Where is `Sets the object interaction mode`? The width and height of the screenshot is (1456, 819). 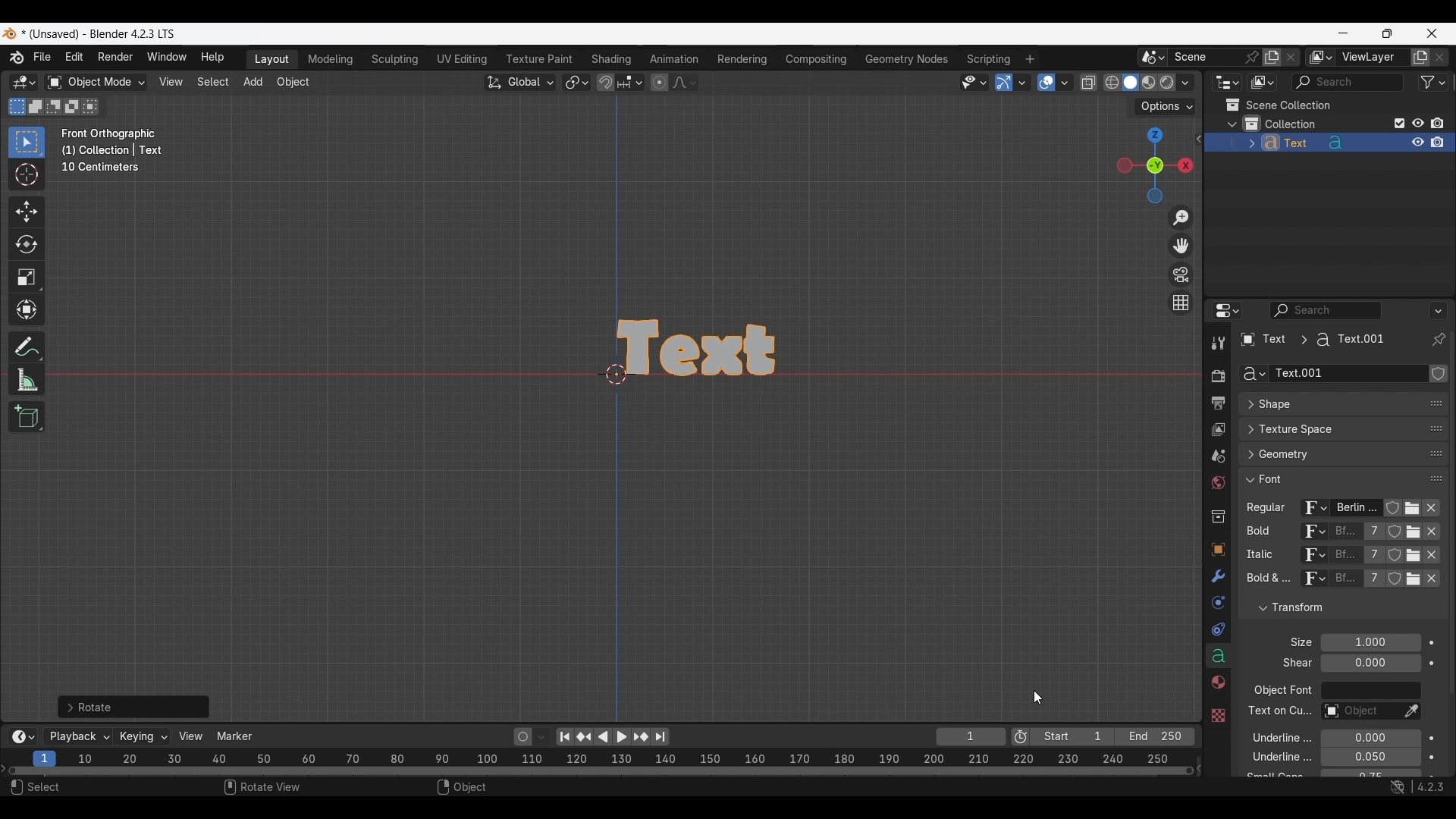
Sets the object interaction mode is located at coordinates (96, 83).